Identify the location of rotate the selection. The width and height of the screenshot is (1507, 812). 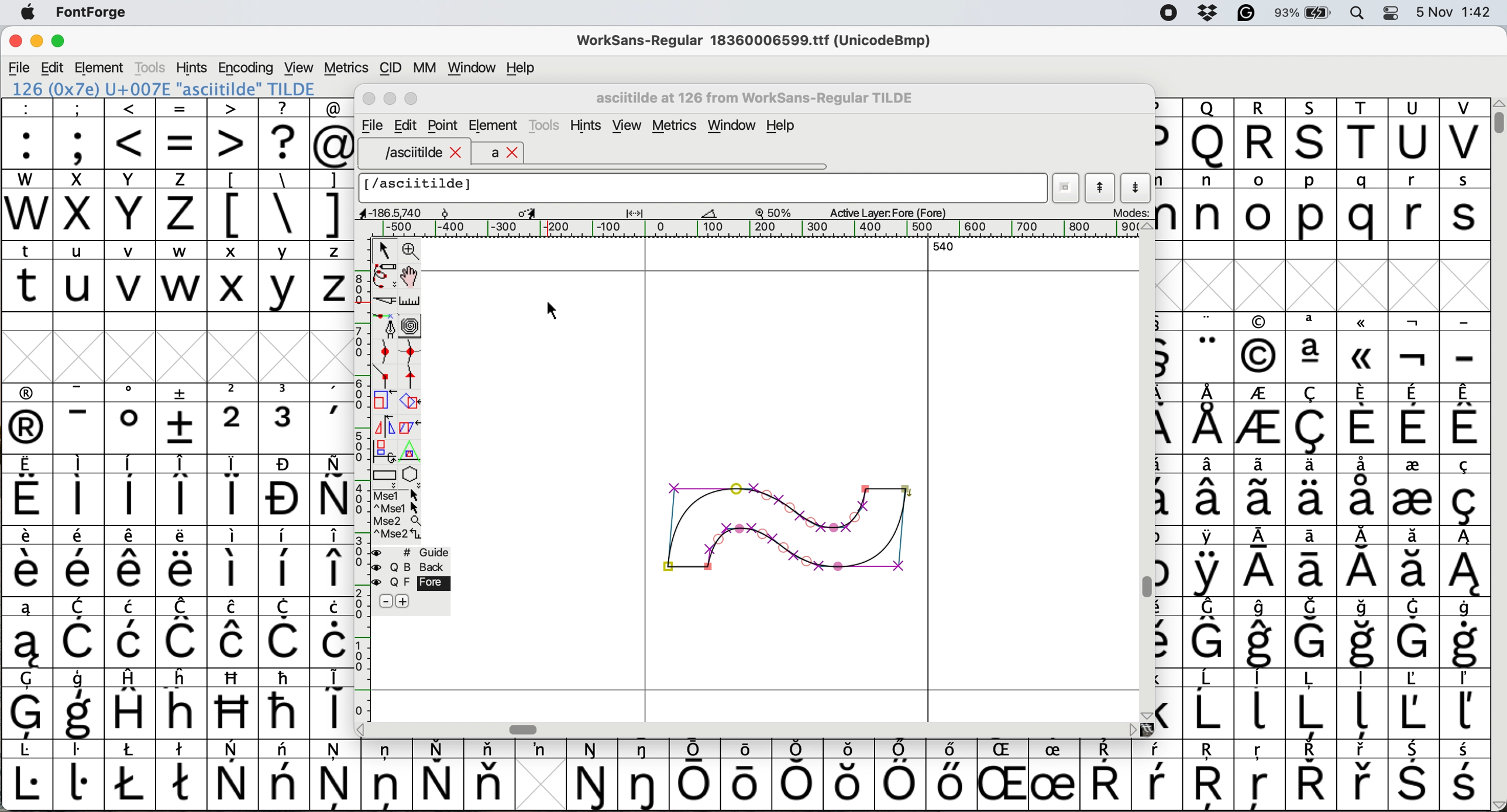
(416, 402).